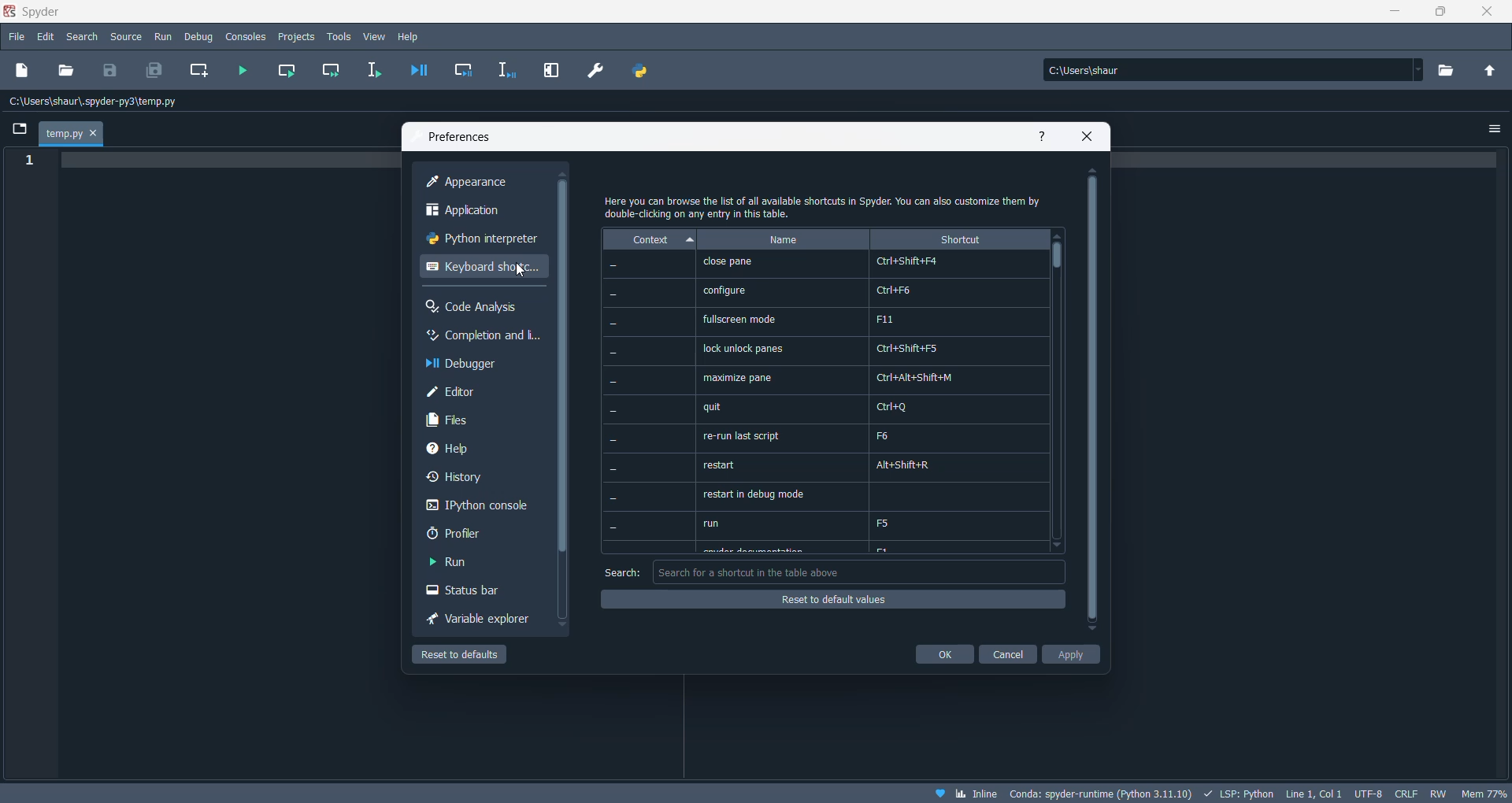 This screenshot has height=803, width=1512. Describe the element at coordinates (469, 537) in the screenshot. I see `profiler` at that location.